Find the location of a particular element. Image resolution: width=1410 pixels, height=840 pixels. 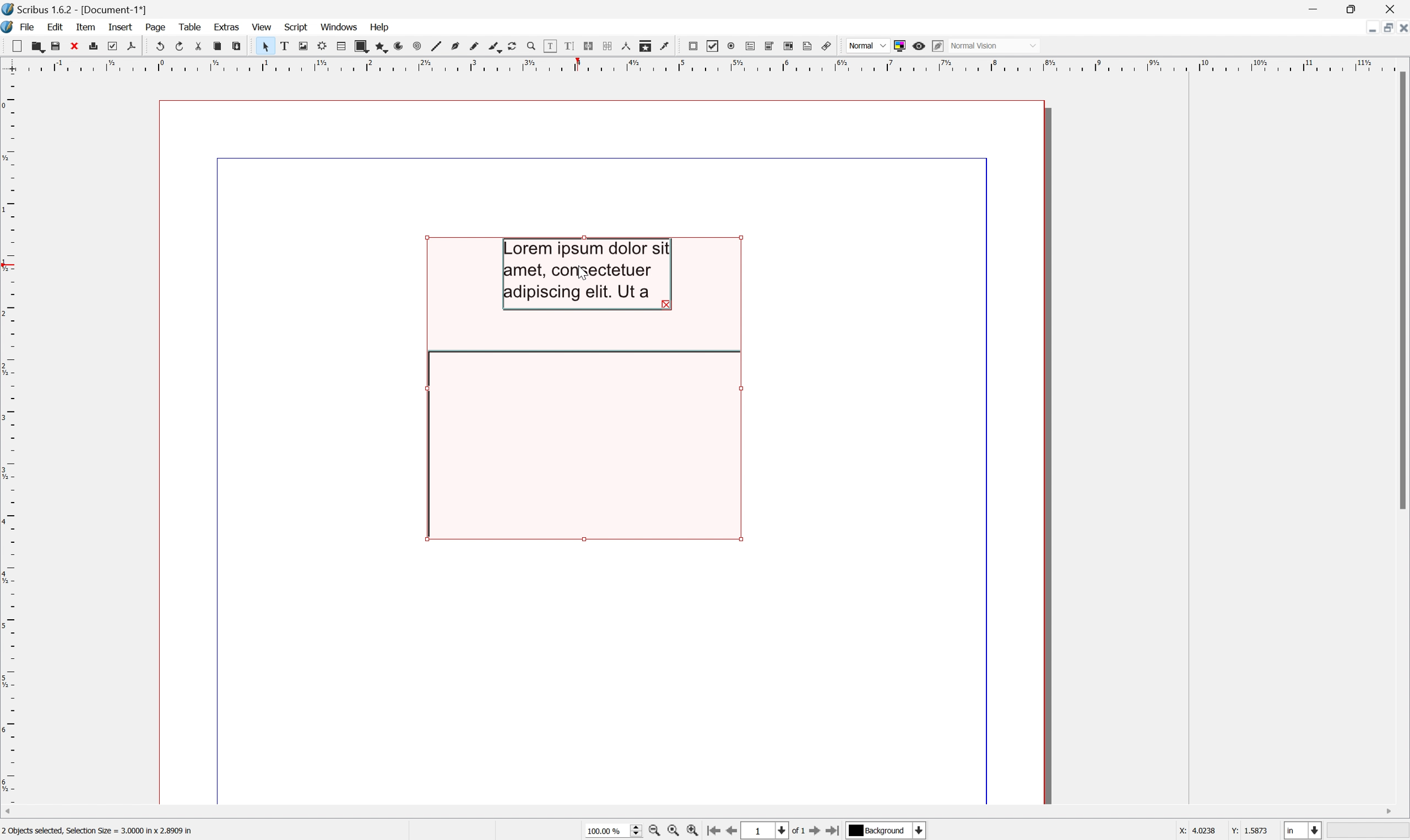

X: 4.0238 is located at coordinates (1195, 832).